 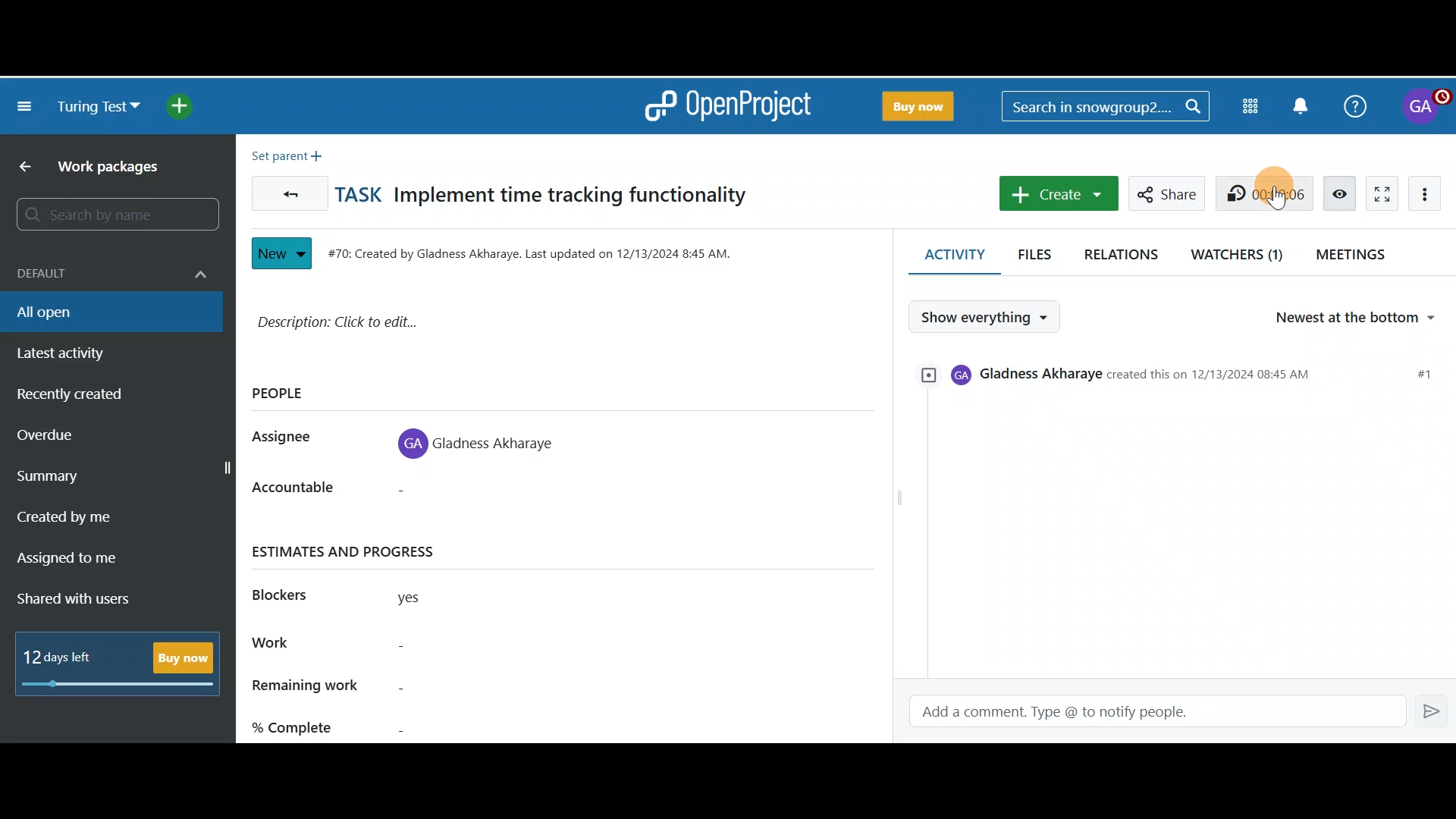 What do you see at coordinates (1270, 196) in the screenshot?
I see `Cursor on Start new timer` at bounding box center [1270, 196].